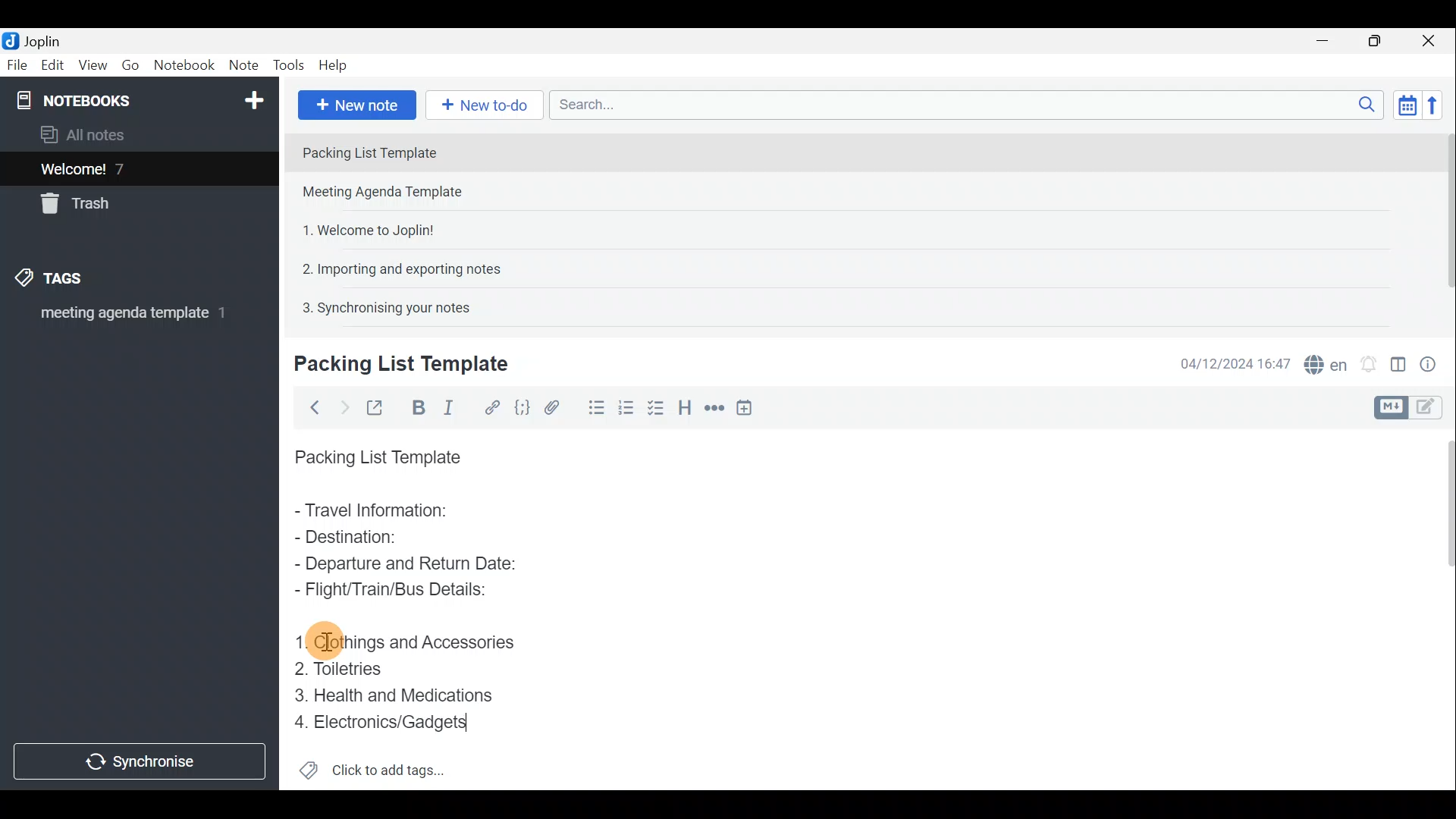 This screenshot has width=1456, height=819. I want to click on Reverse sort order, so click(1438, 104).